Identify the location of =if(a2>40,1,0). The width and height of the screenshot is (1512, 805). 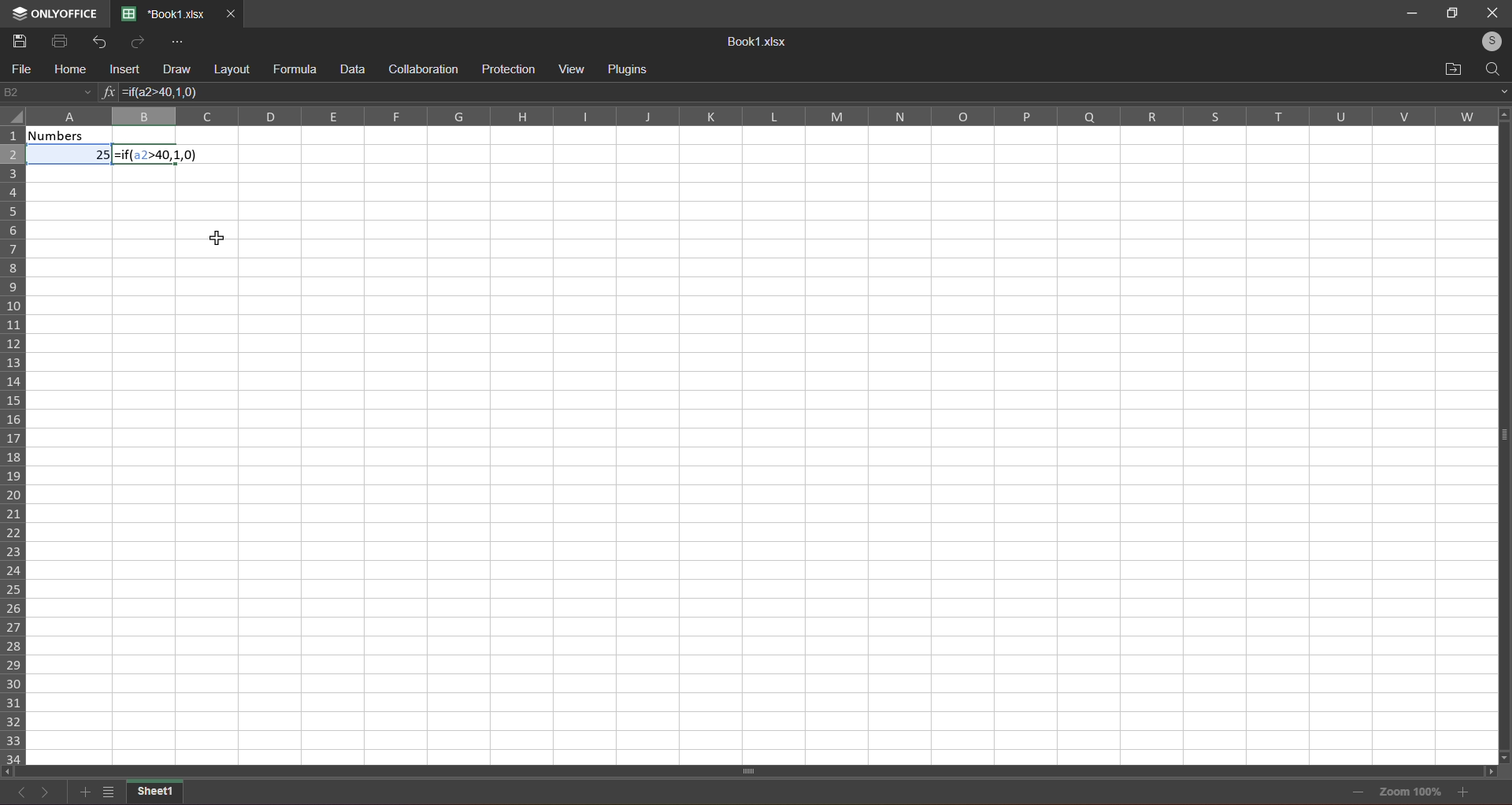
(169, 94).